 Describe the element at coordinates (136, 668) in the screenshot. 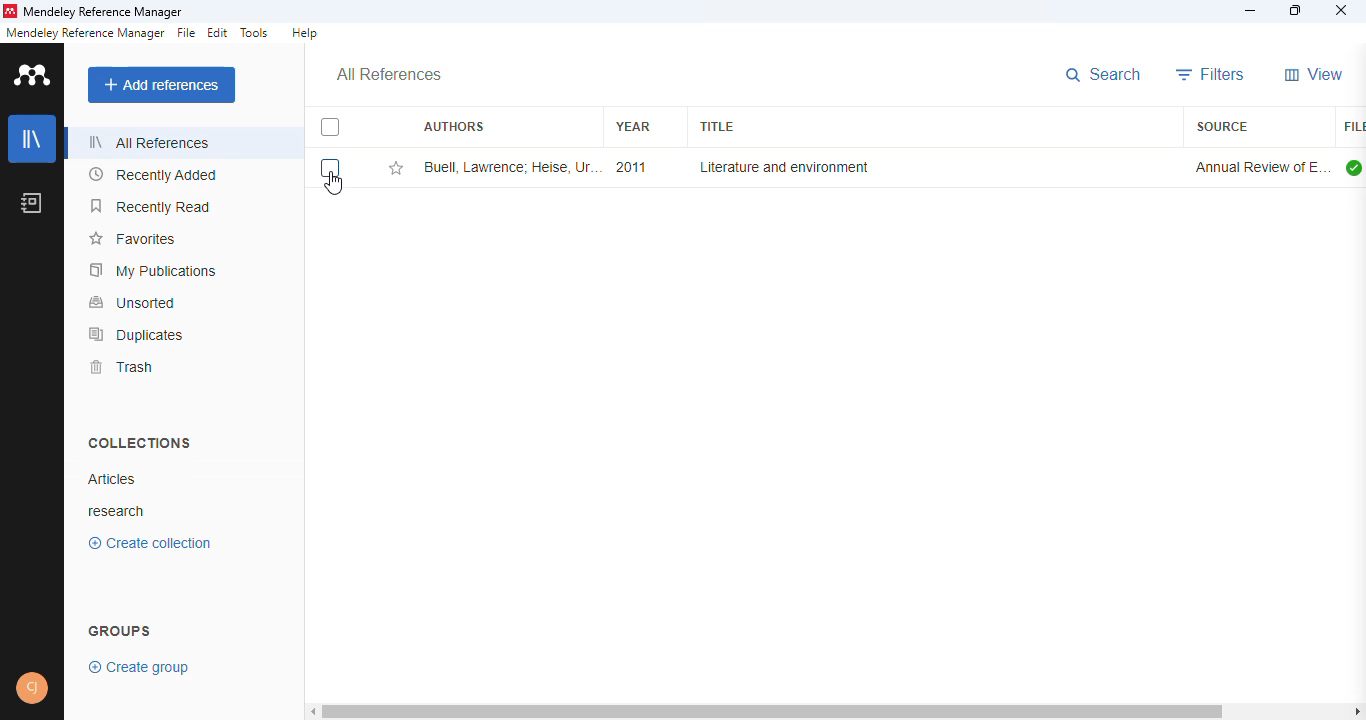

I see `create group` at that location.